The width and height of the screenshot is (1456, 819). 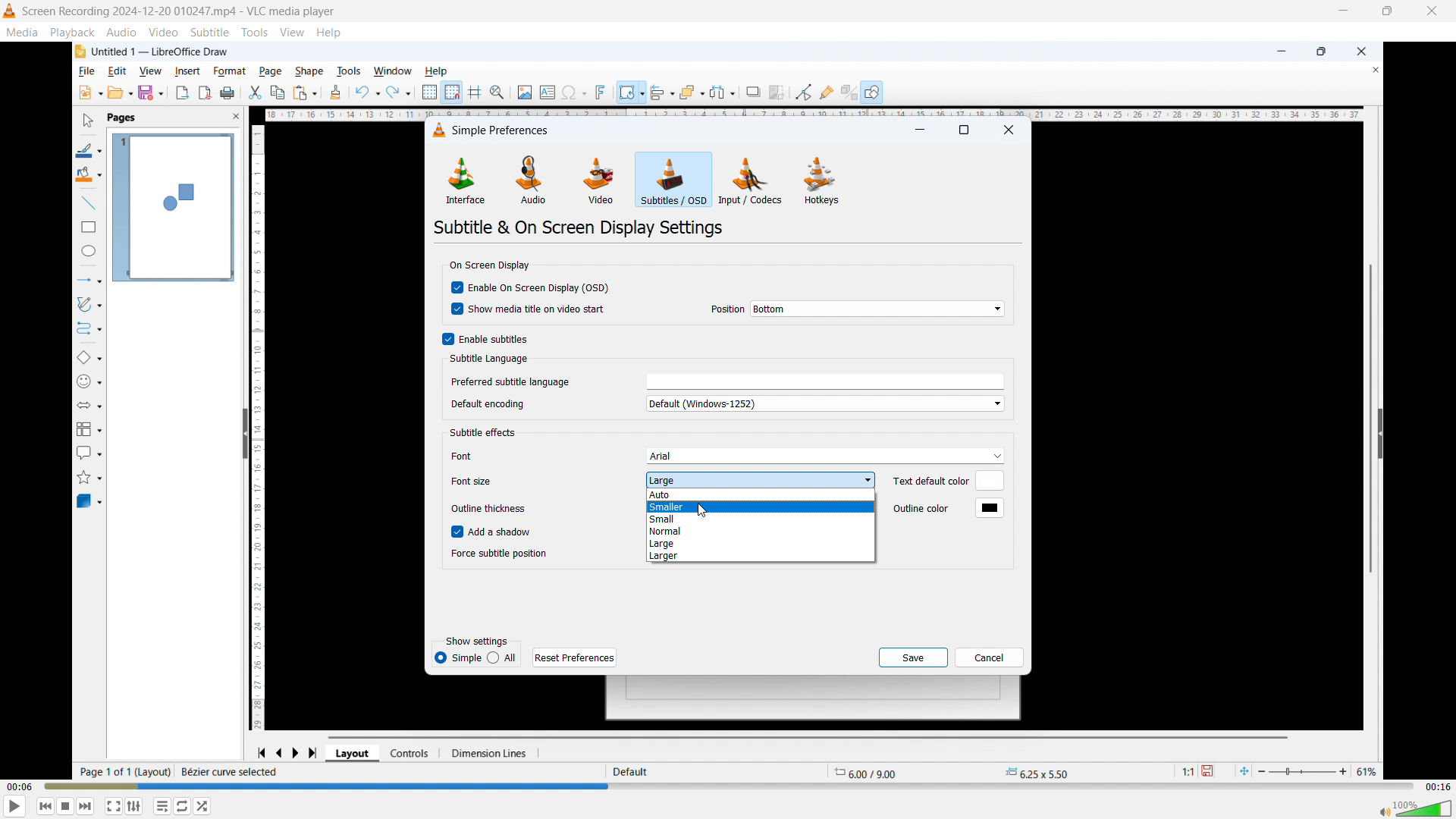 I want to click on Outline thickness, so click(x=488, y=508).